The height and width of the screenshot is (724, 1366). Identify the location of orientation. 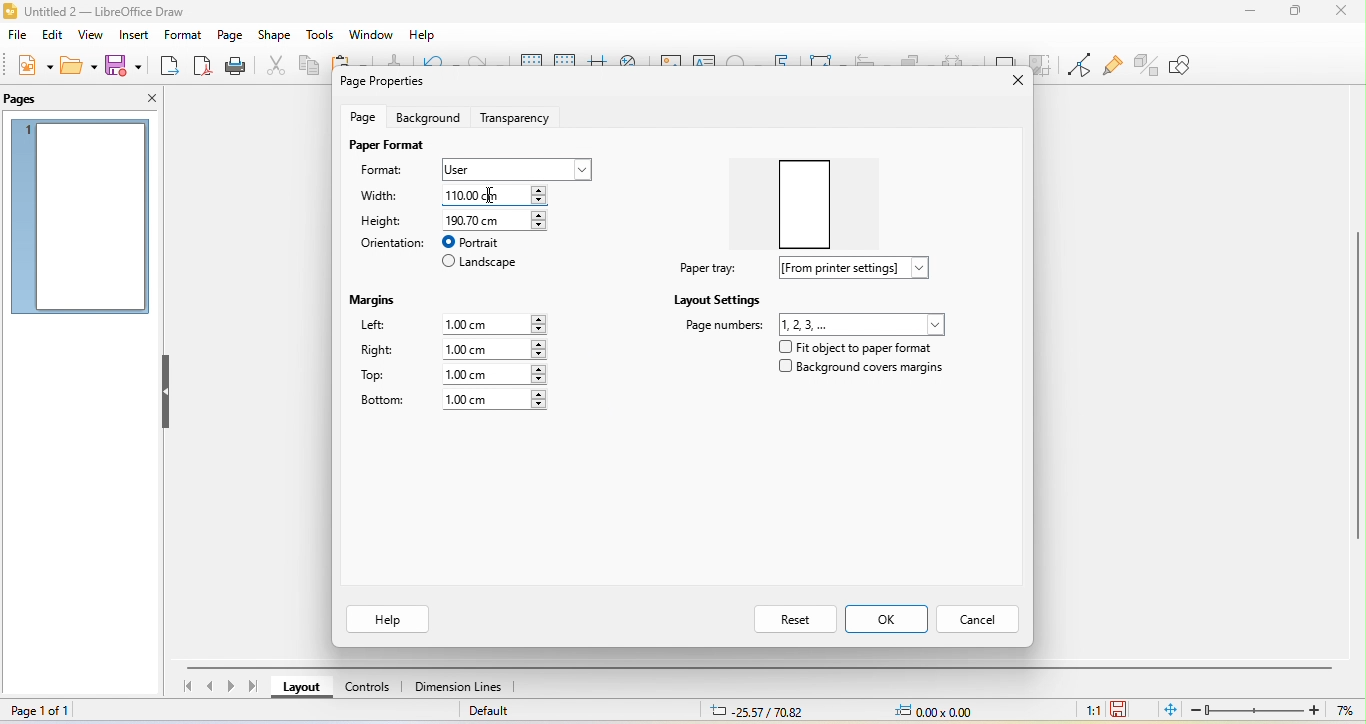
(390, 243).